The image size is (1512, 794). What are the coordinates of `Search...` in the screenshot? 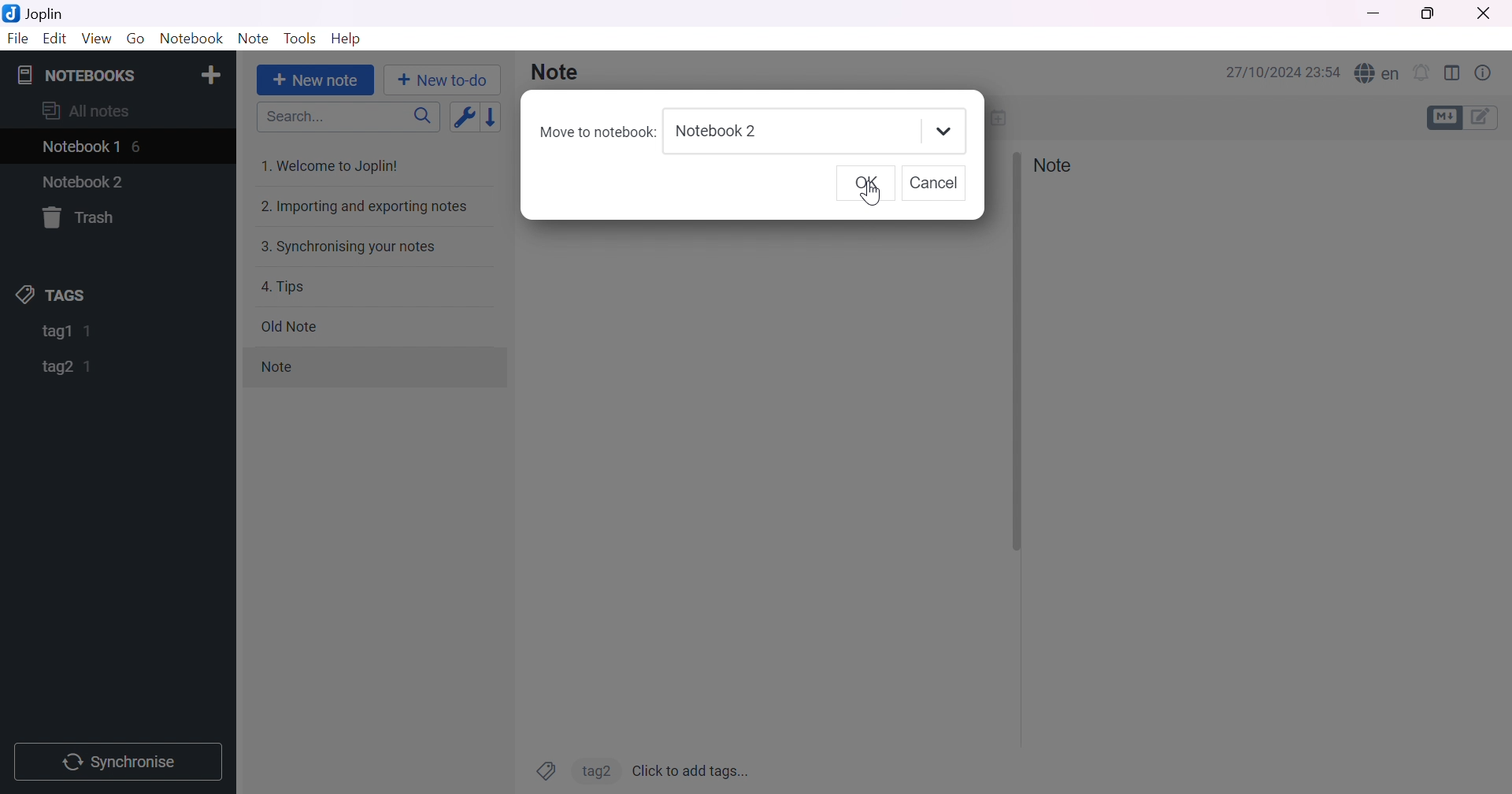 It's located at (291, 118).